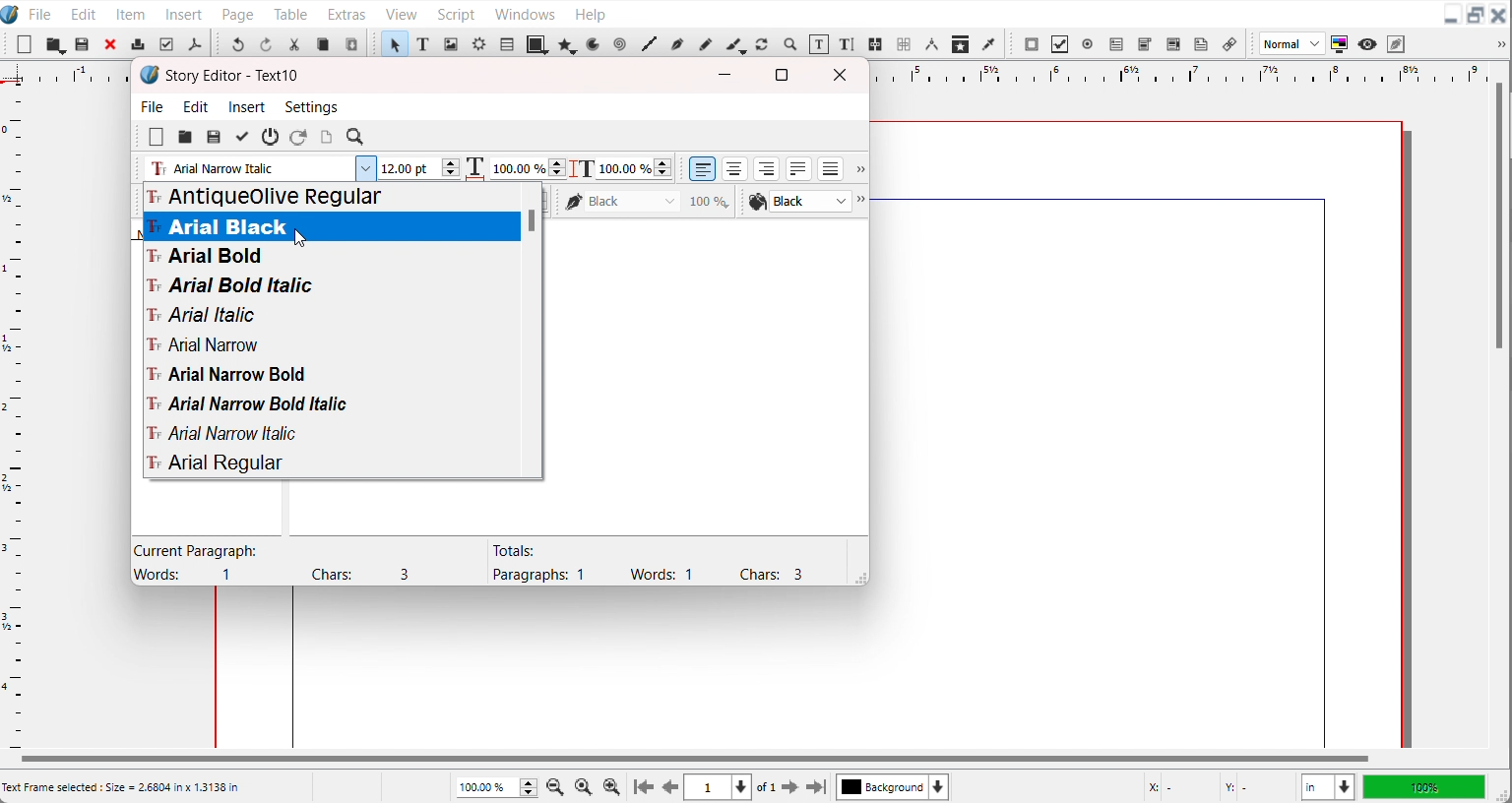  What do you see at coordinates (1476, 16) in the screenshot?
I see `Maximize` at bounding box center [1476, 16].